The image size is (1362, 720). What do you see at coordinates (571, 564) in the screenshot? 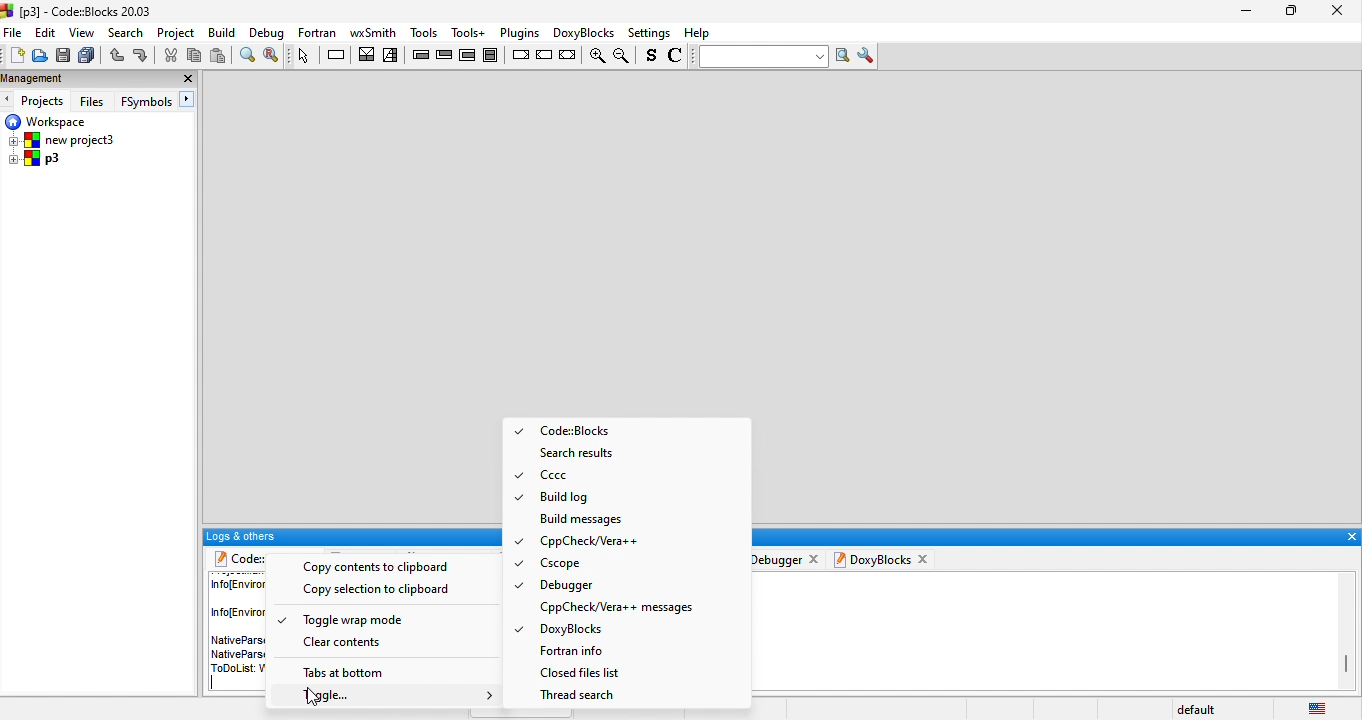
I see `Cscope` at bounding box center [571, 564].